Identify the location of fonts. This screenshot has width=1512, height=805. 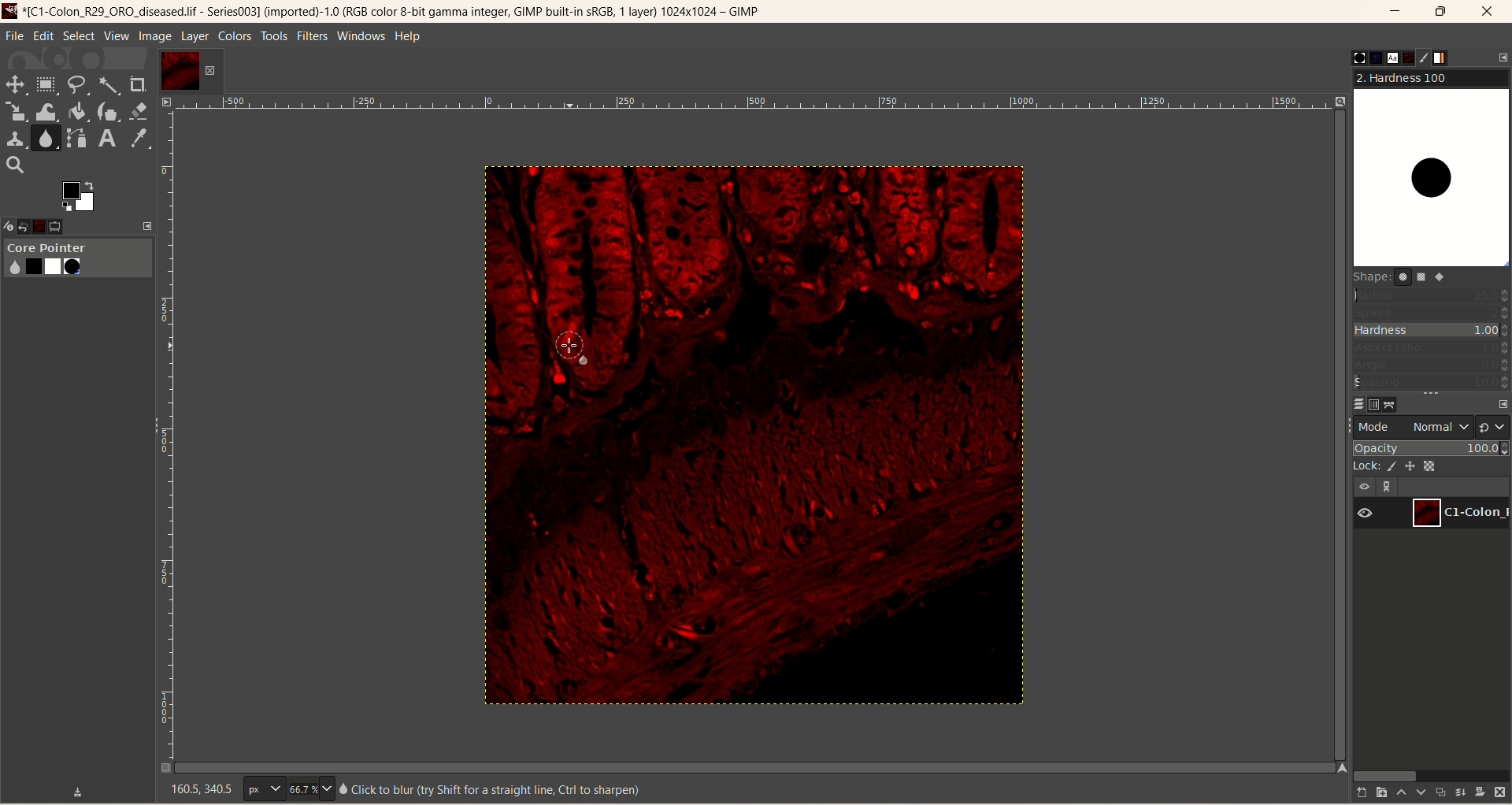
(1386, 57).